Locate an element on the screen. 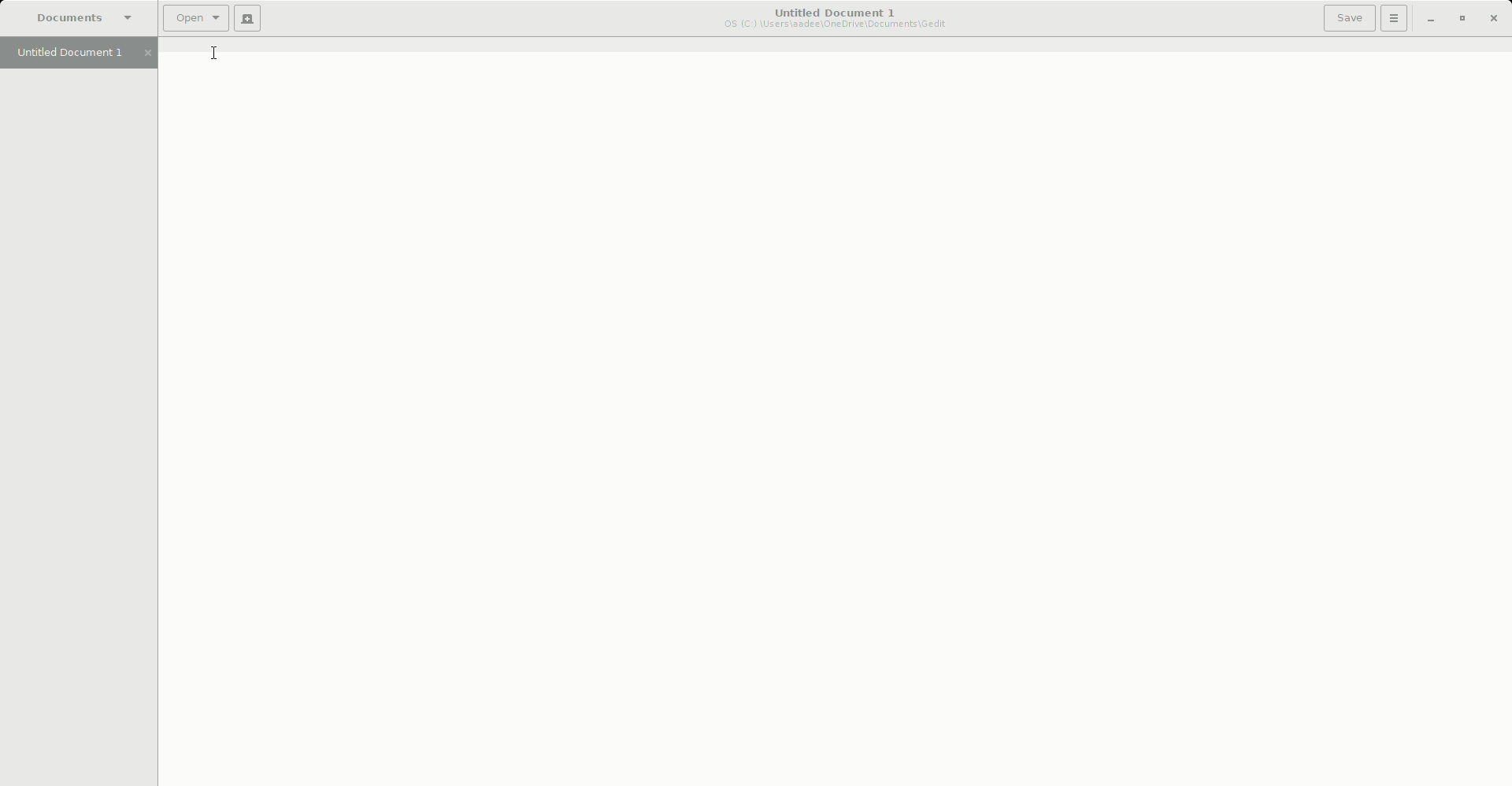 The width and height of the screenshot is (1512, 786). Documents is located at coordinates (81, 19).